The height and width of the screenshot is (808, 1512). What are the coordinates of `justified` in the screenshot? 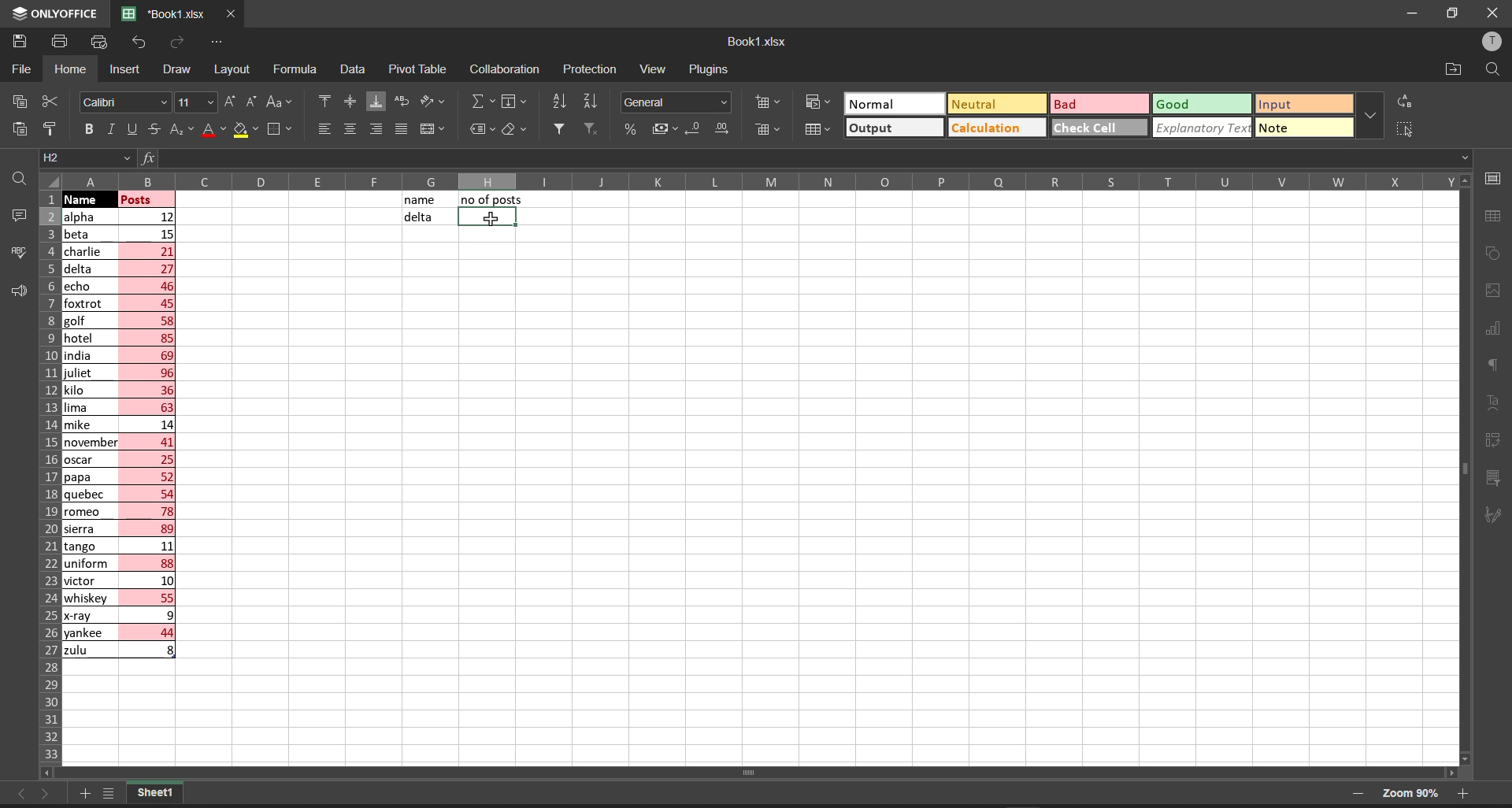 It's located at (400, 129).